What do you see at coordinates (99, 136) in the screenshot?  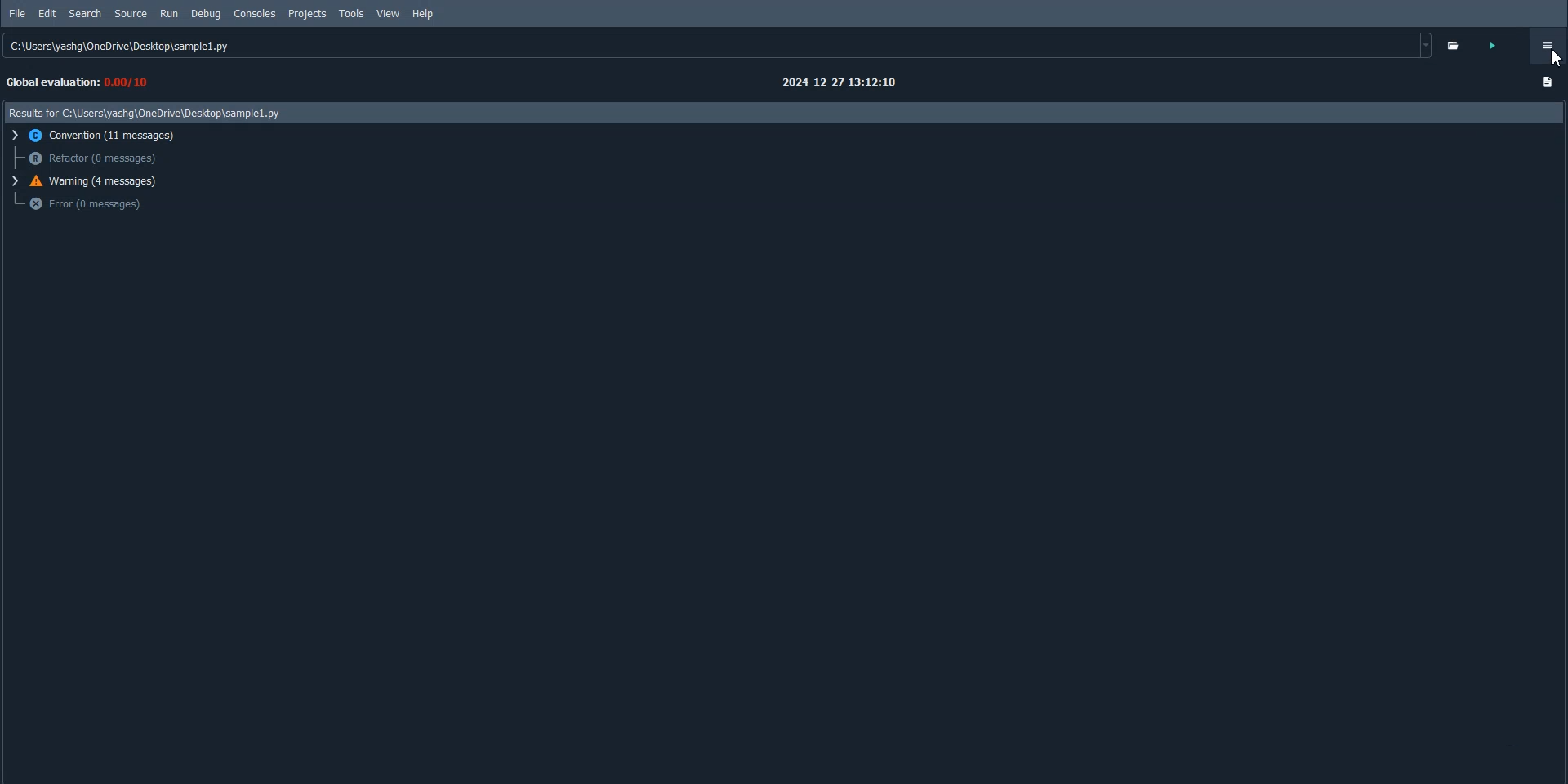 I see `Conventions` at bounding box center [99, 136].